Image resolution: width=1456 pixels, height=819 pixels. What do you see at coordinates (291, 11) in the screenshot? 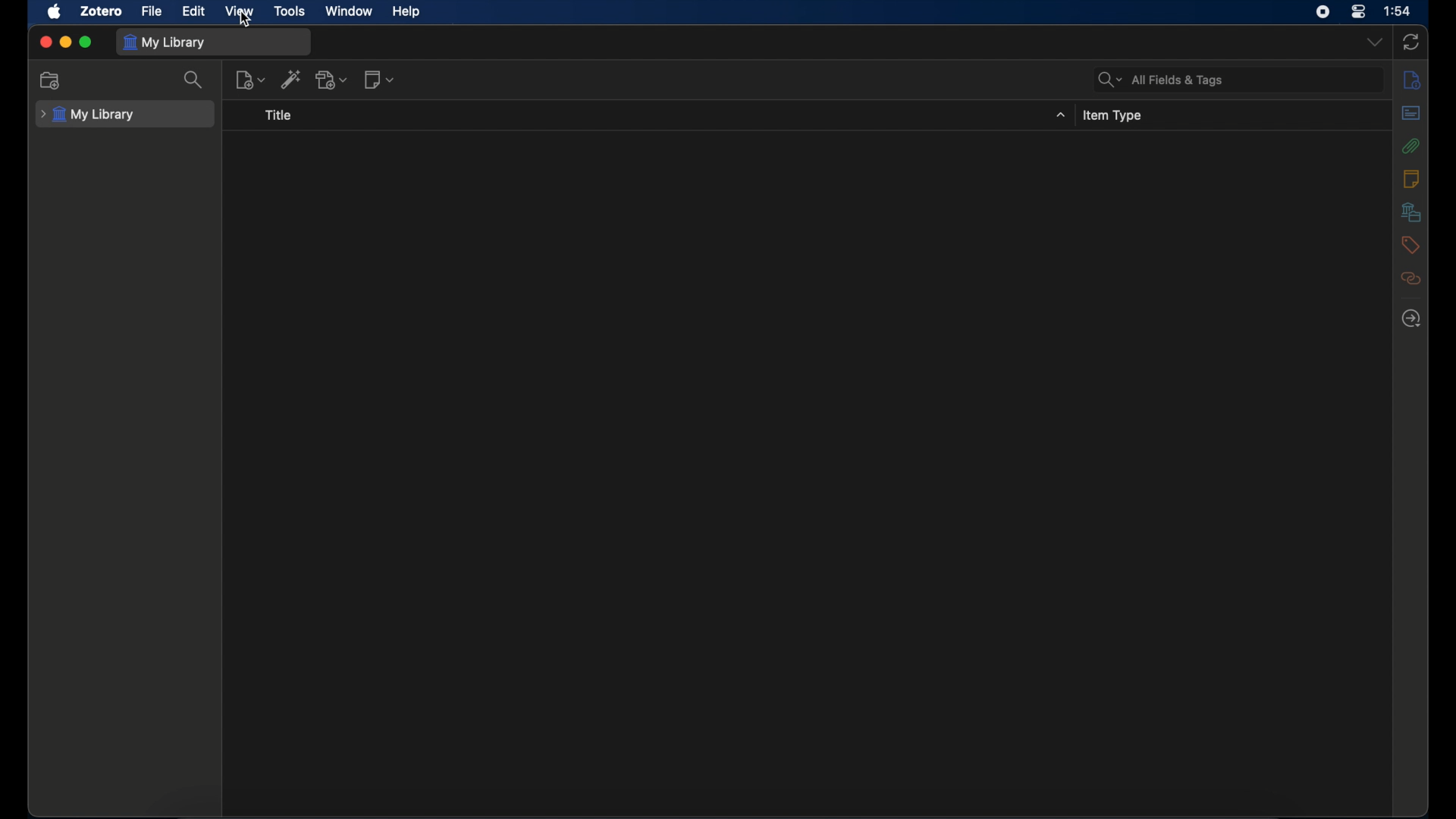
I see `tools` at bounding box center [291, 11].